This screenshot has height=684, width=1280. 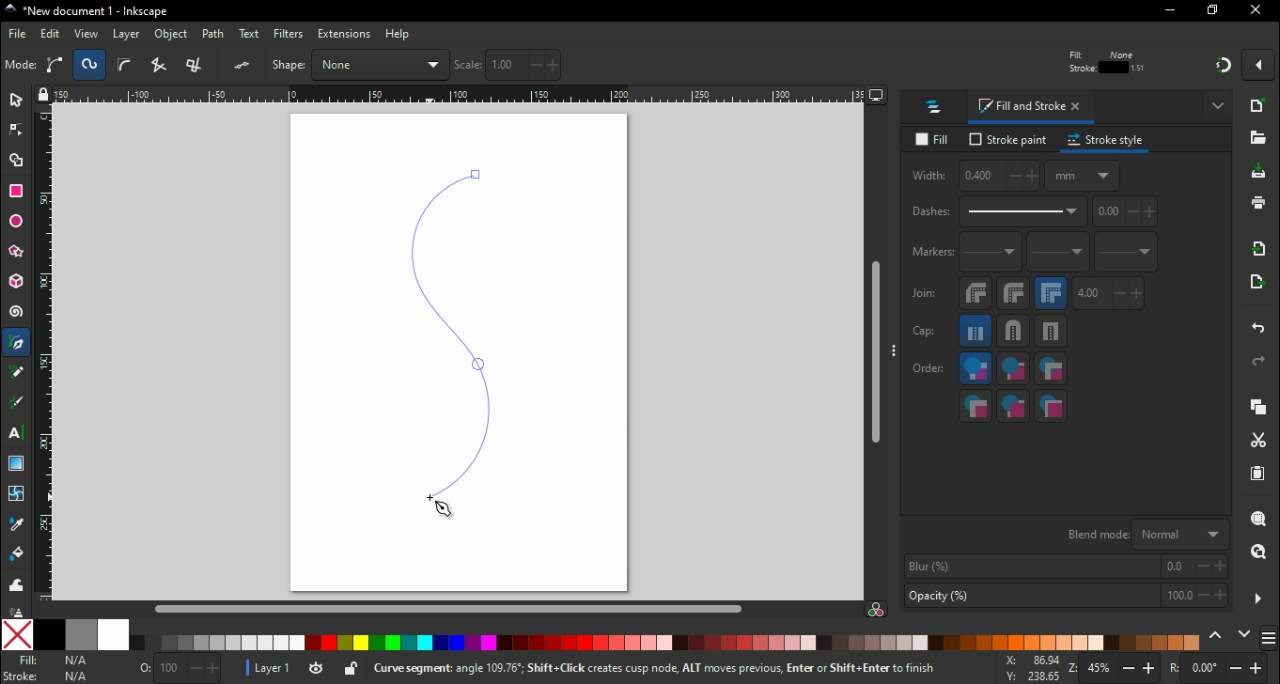 What do you see at coordinates (128, 68) in the screenshot?
I see `create BSplain path` at bounding box center [128, 68].